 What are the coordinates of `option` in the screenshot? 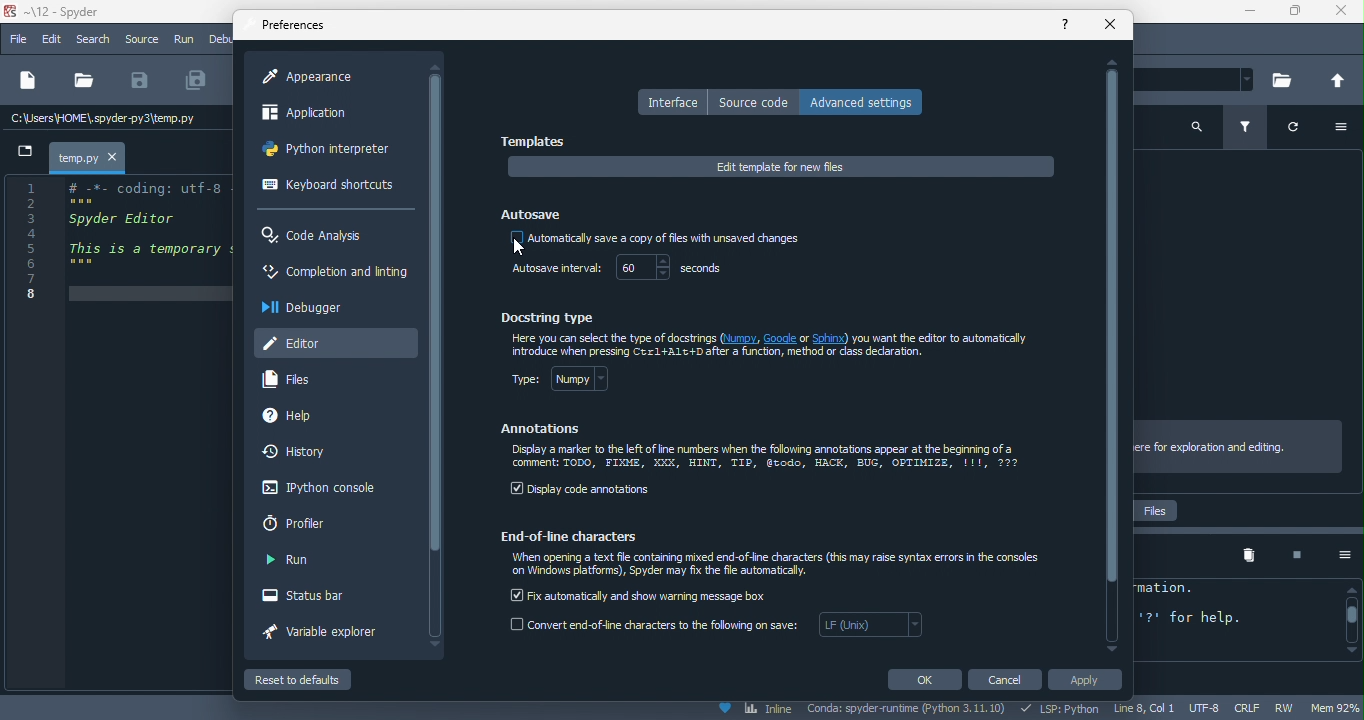 It's located at (1347, 129).